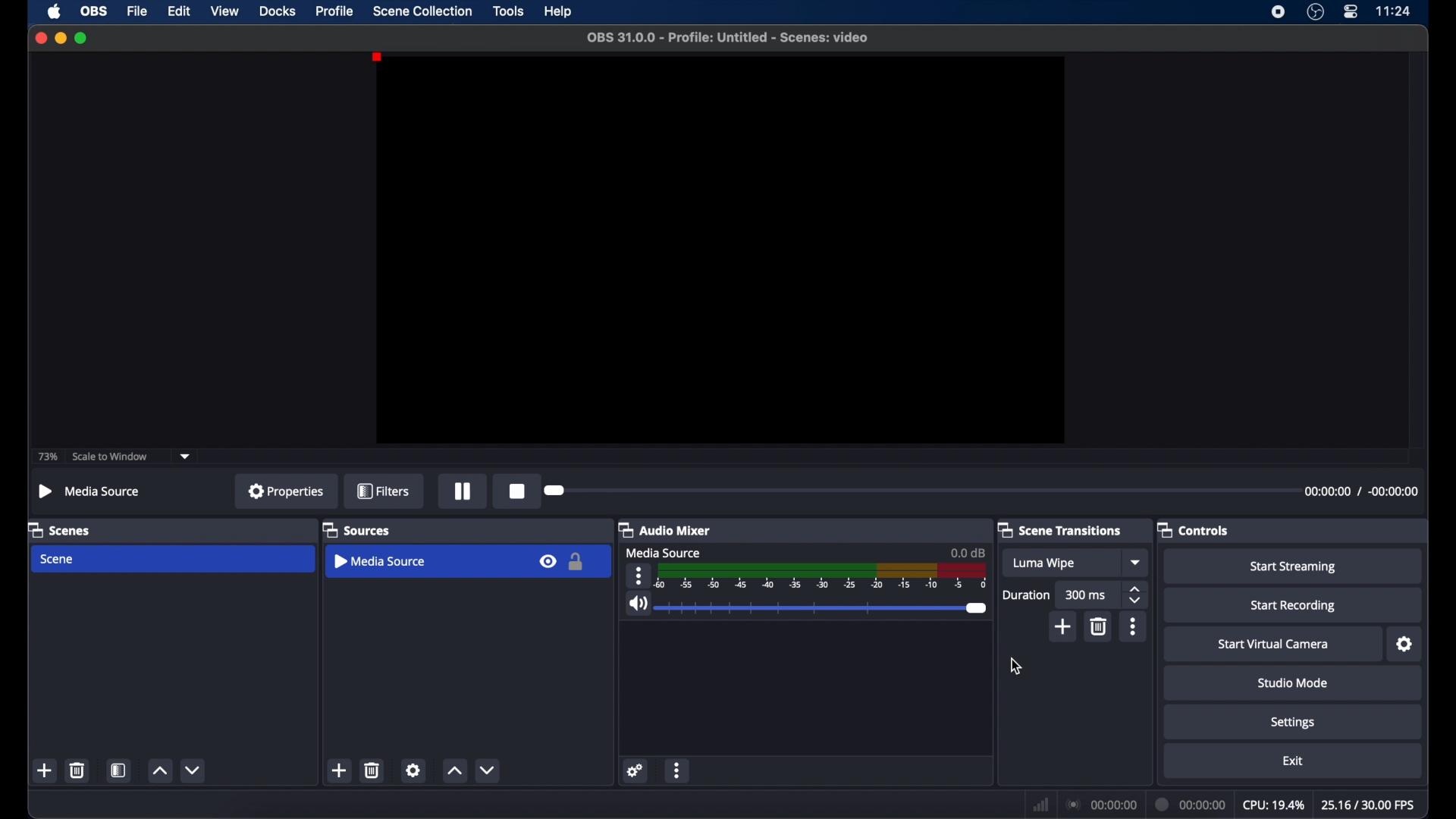  Describe the element at coordinates (1134, 626) in the screenshot. I see `more options` at that location.